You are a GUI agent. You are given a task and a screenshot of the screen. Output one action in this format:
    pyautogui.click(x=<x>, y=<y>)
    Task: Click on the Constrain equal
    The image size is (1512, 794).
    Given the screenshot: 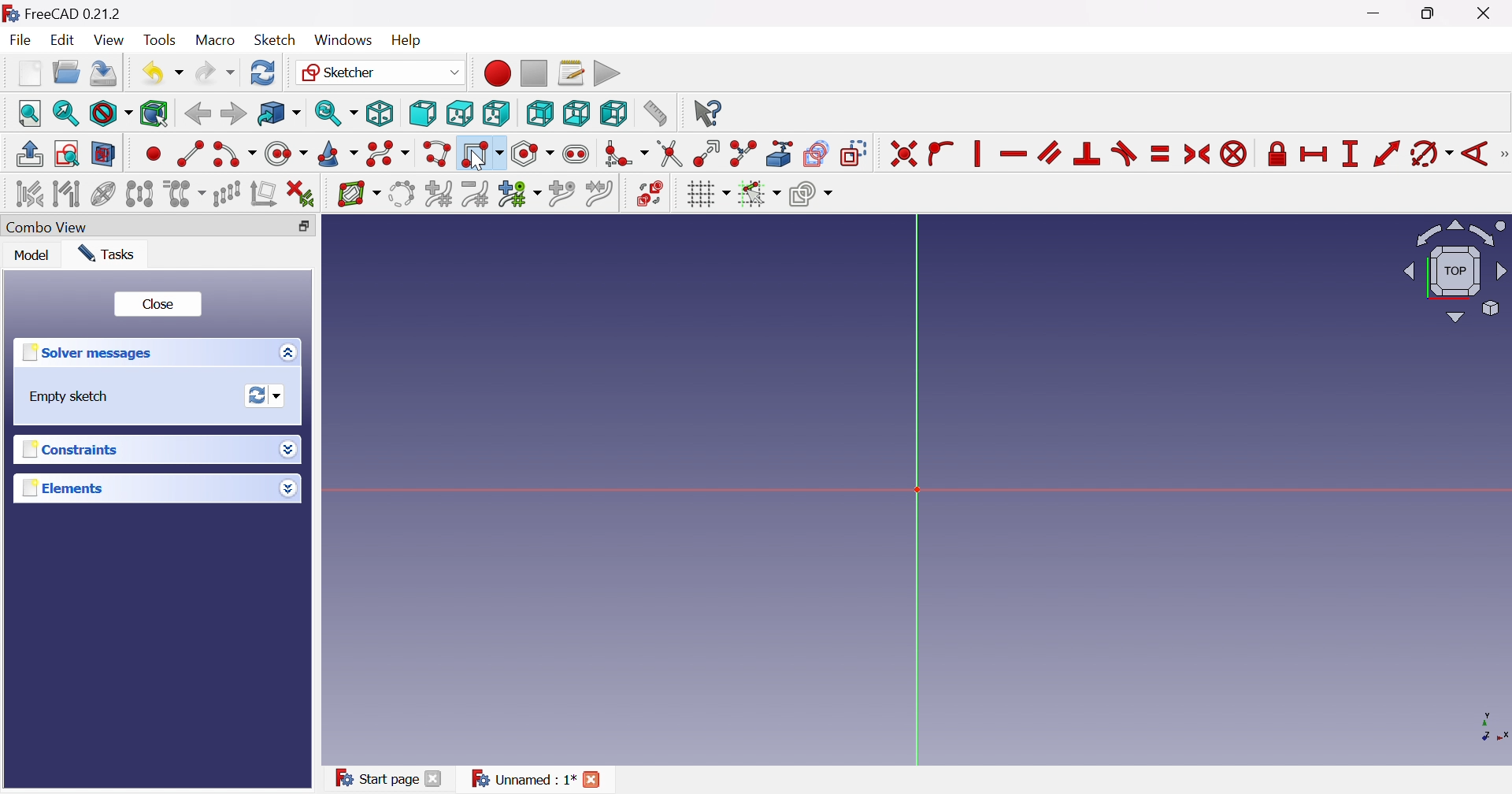 What is the action you would take?
    pyautogui.click(x=1162, y=155)
    